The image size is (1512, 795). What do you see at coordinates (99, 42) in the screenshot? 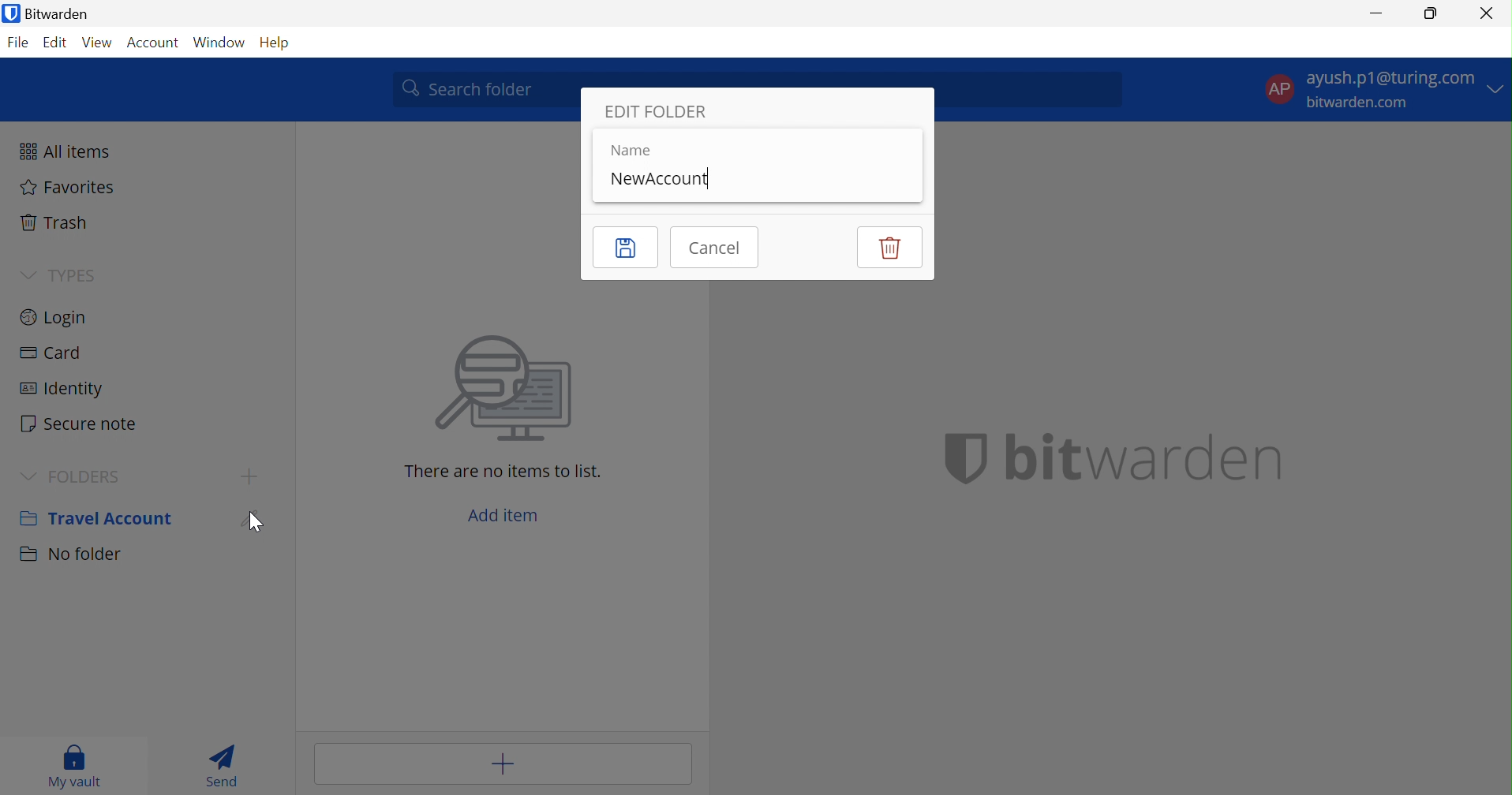
I see `View` at bounding box center [99, 42].